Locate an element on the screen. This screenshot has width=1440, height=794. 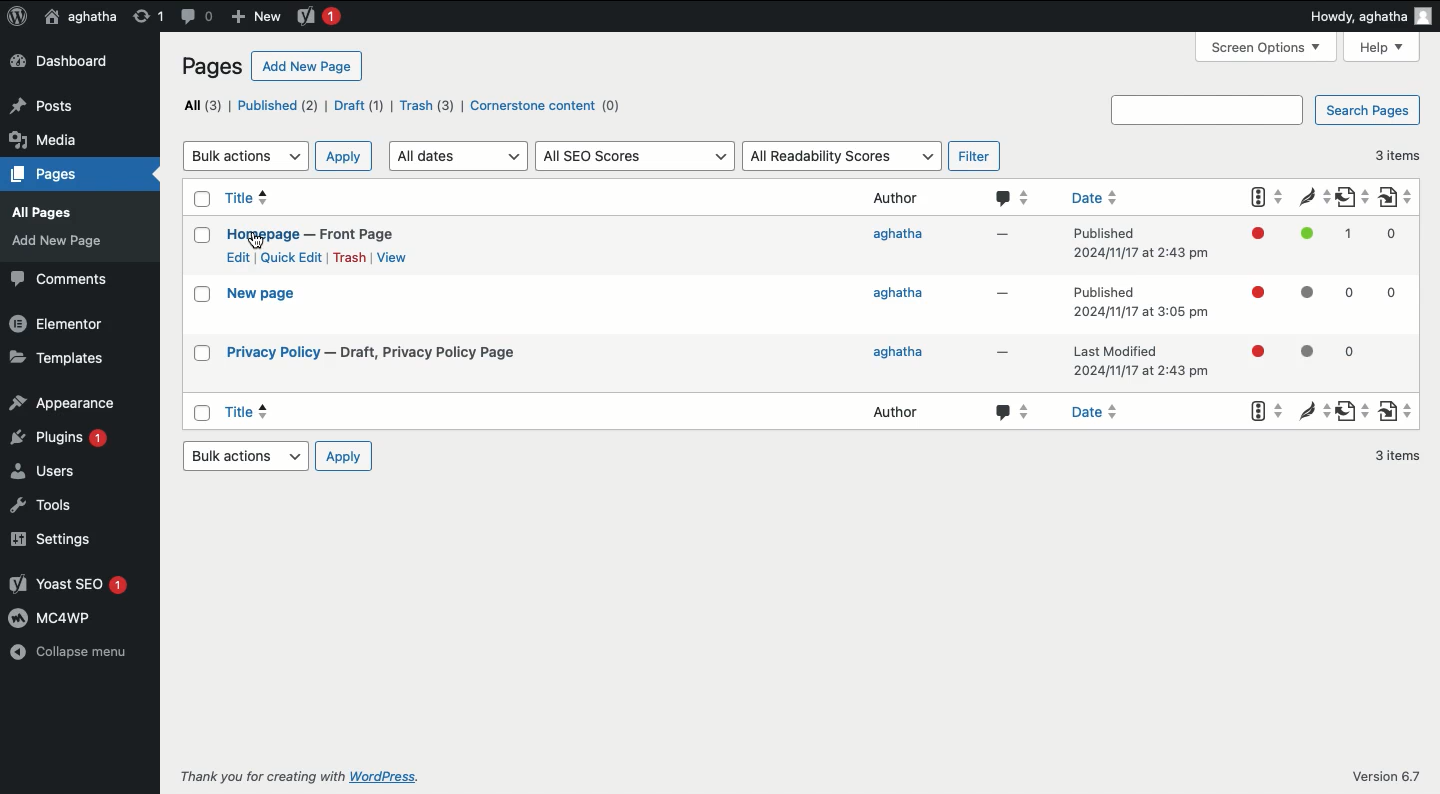
Pages is located at coordinates (210, 66).